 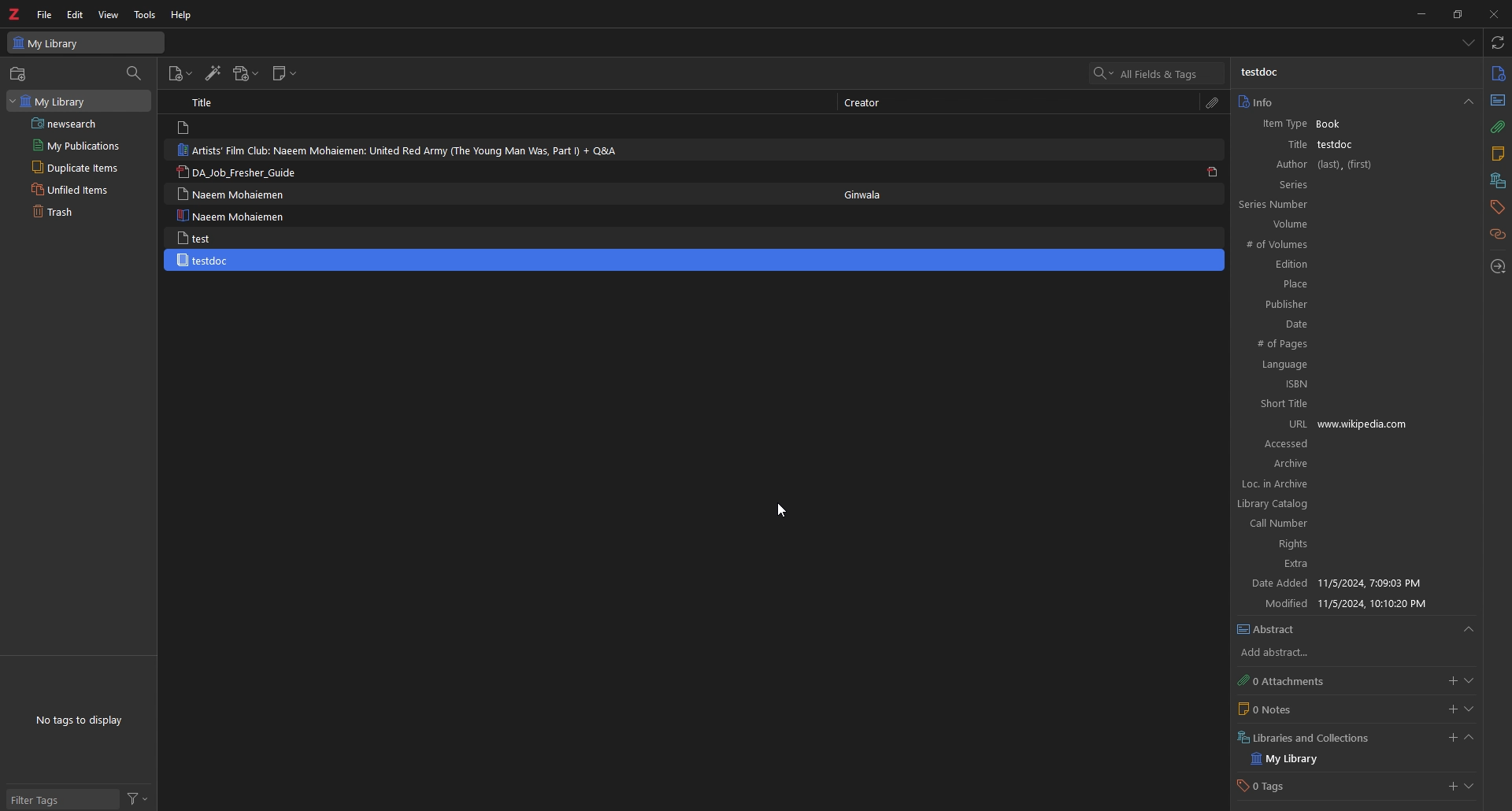 What do you see at coordinates (213, 73) in the screenshot?
I see `add items by identifier` at bounding box center [213, 73].